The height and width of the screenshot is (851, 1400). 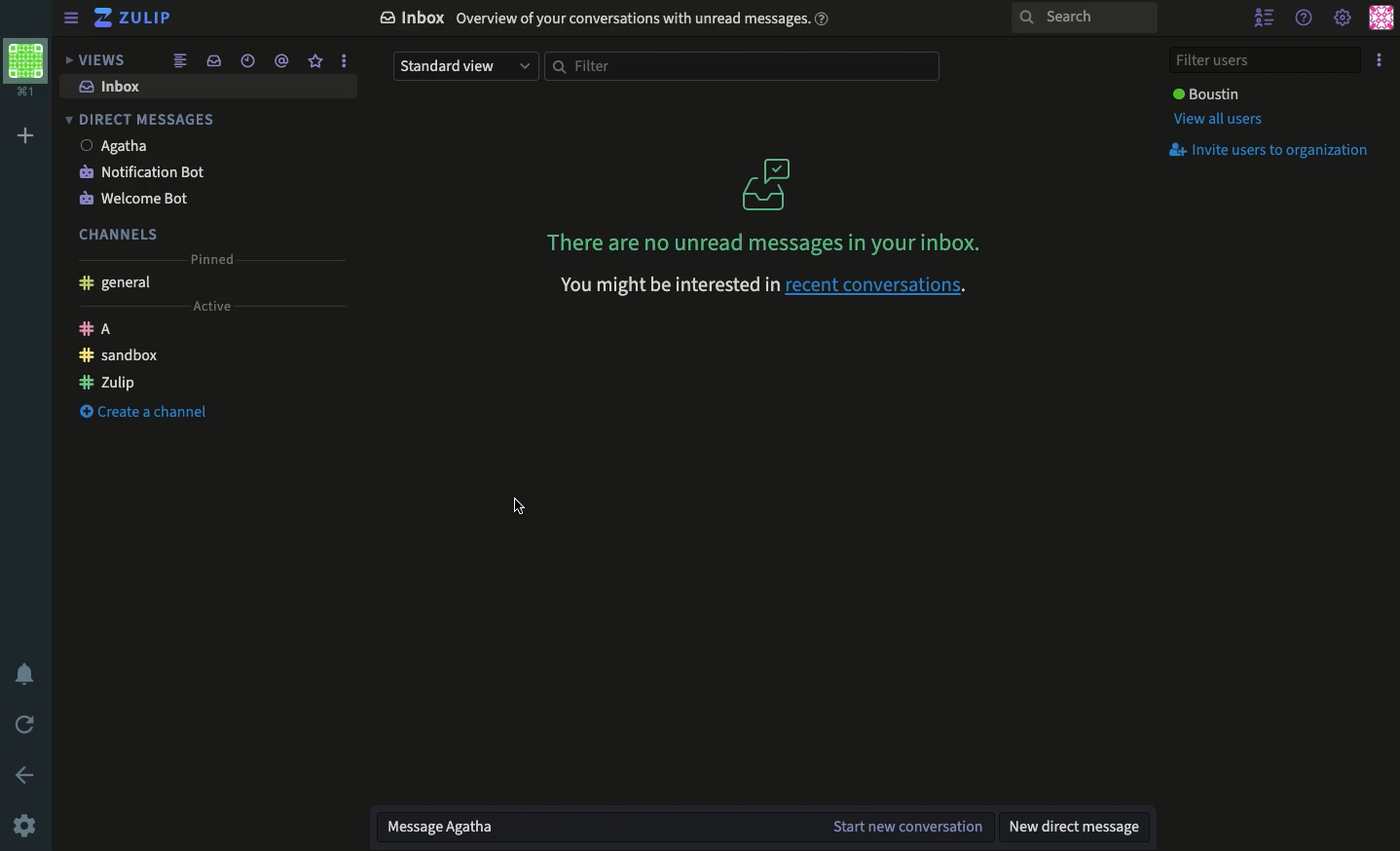 What do you see at coordinates (682, 828) in the screenshot?
I see `Message` at bounding box center [682, 828].